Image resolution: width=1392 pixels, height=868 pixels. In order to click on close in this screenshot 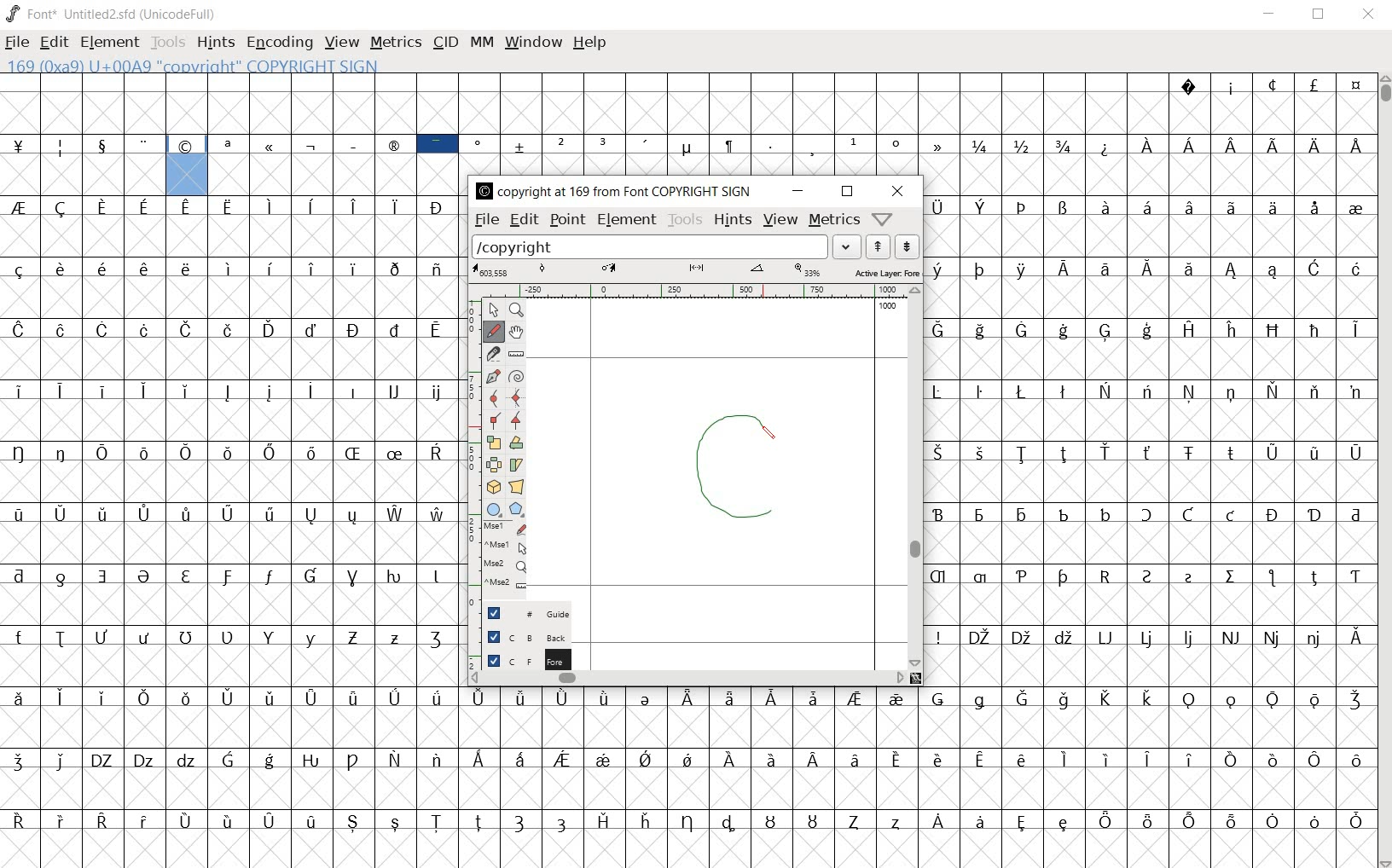, I will do `click(1369, 14)`.